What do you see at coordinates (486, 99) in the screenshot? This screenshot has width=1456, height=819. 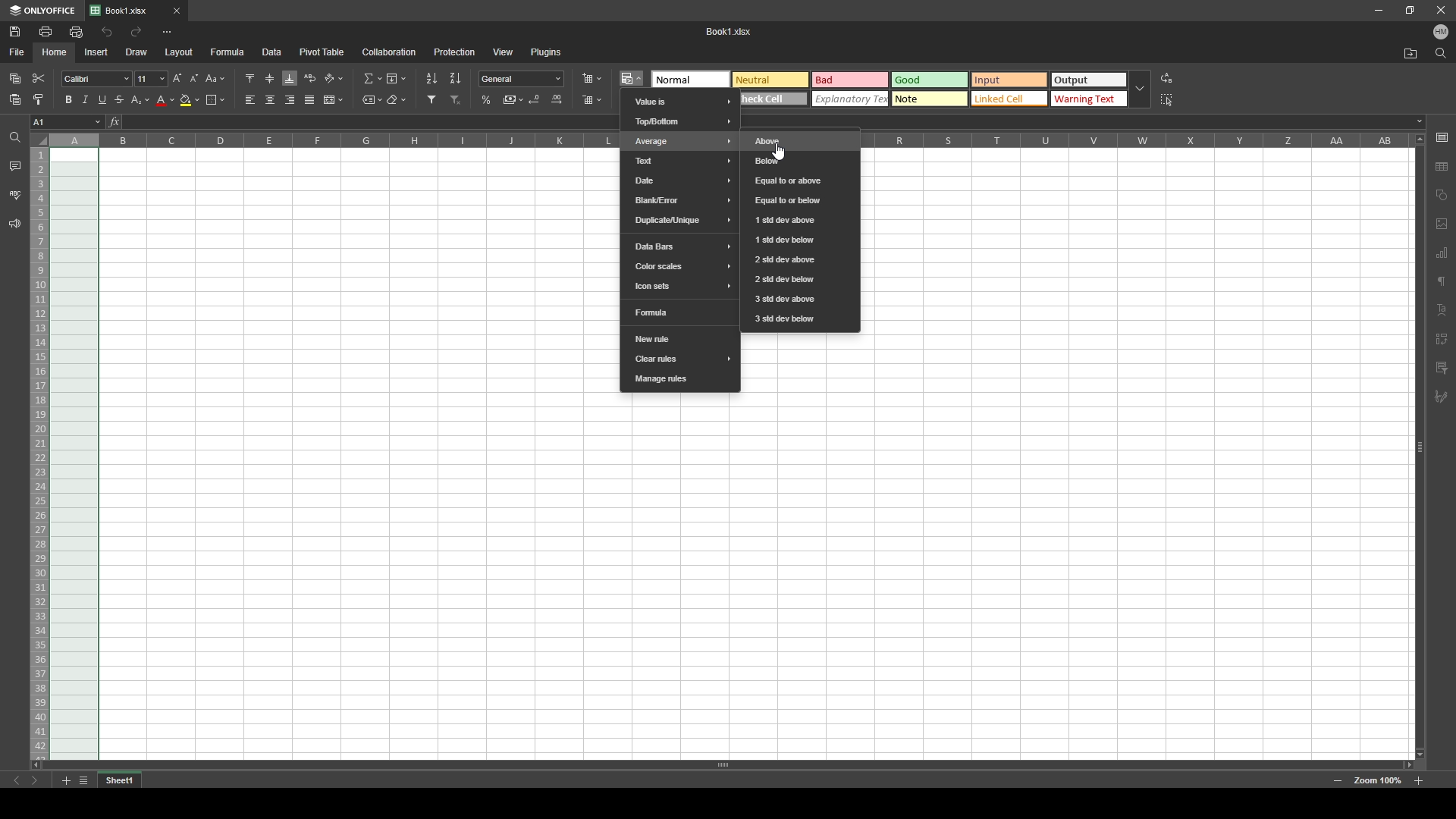 I see `percentage style` at bounding box center [486, 99].